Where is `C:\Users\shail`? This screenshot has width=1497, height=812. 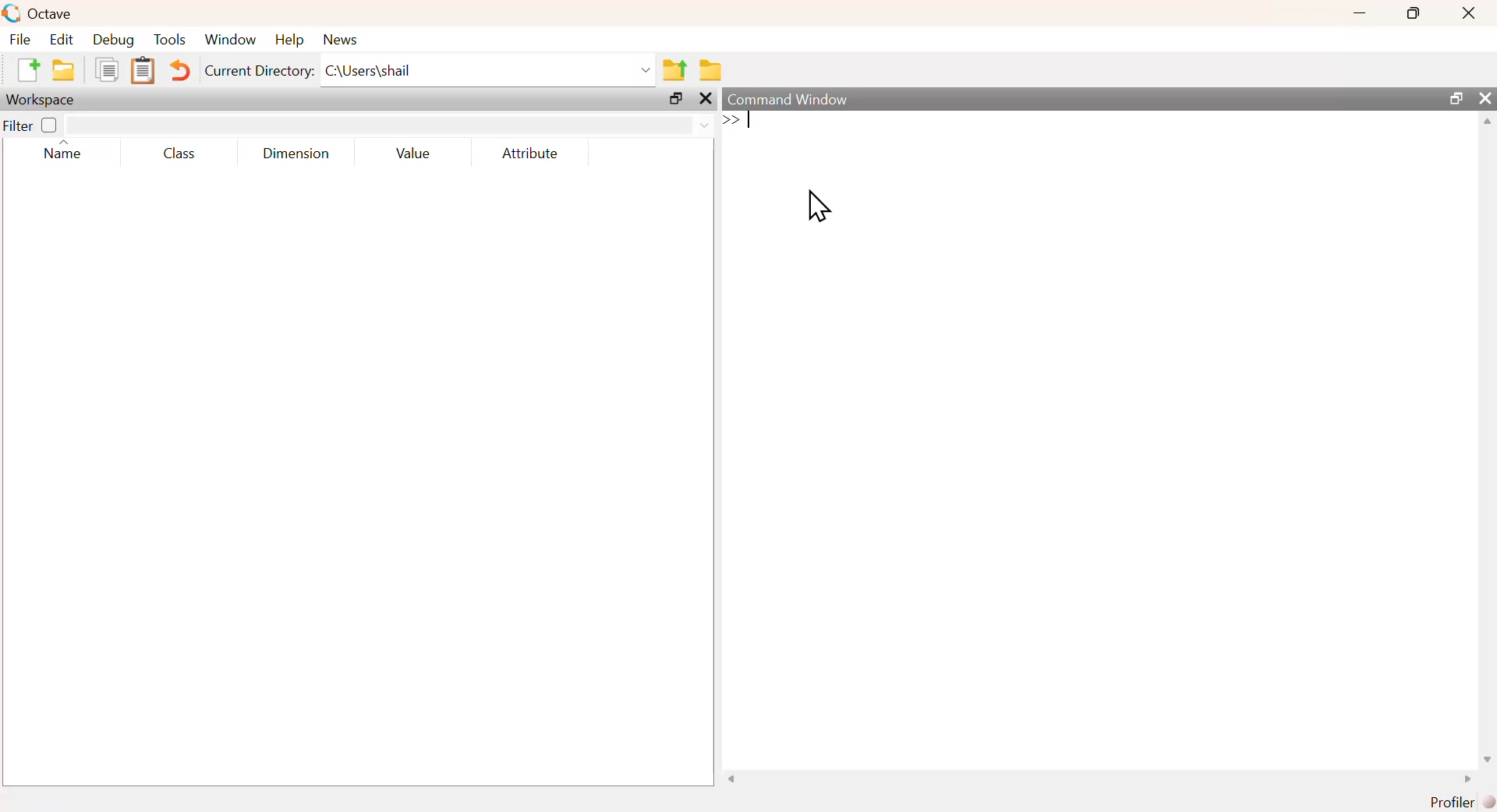 C:\Users\shail is located at coordinates (369, 71).